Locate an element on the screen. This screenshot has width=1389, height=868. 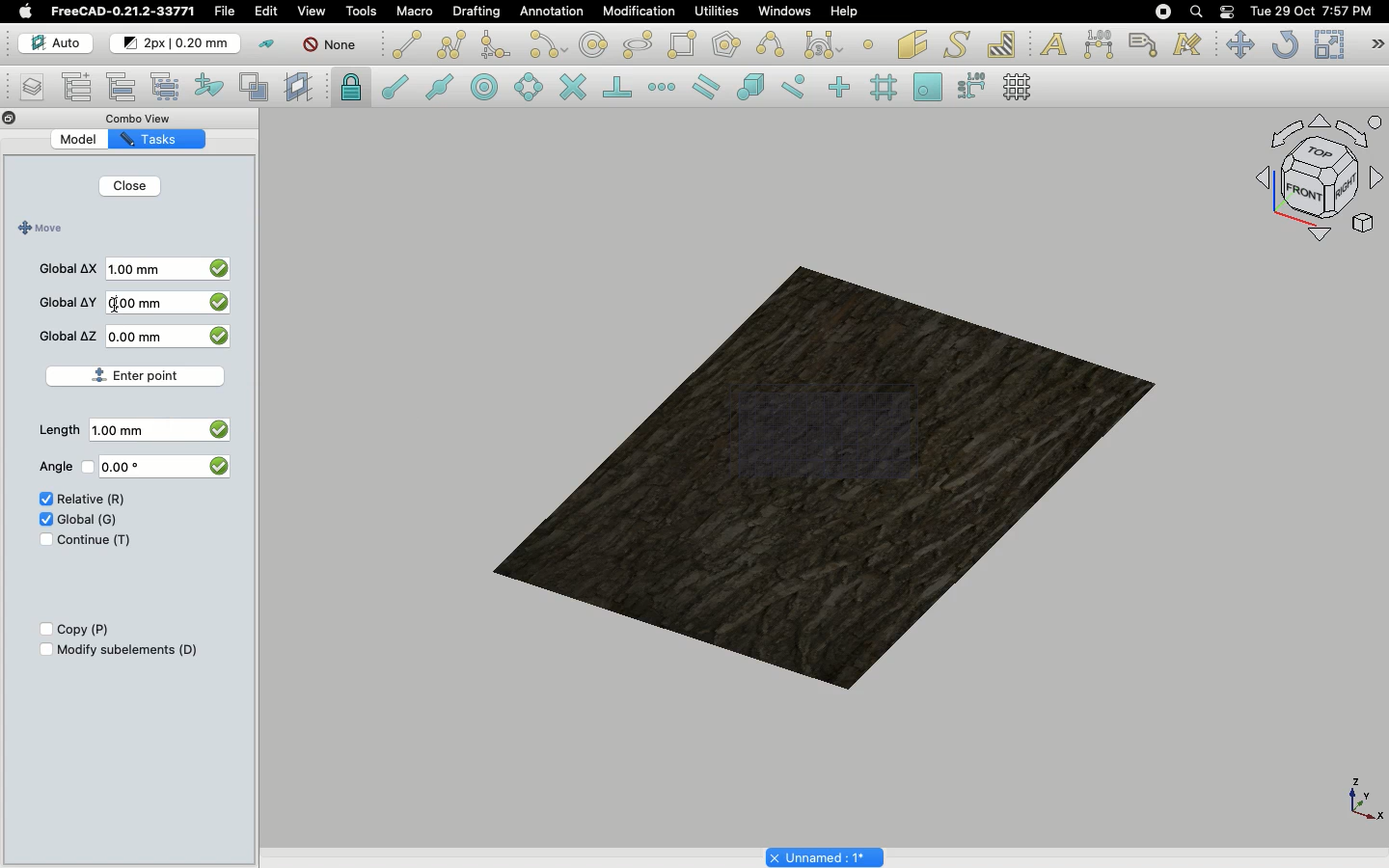
Enter point is located at coordinates (143, 372).